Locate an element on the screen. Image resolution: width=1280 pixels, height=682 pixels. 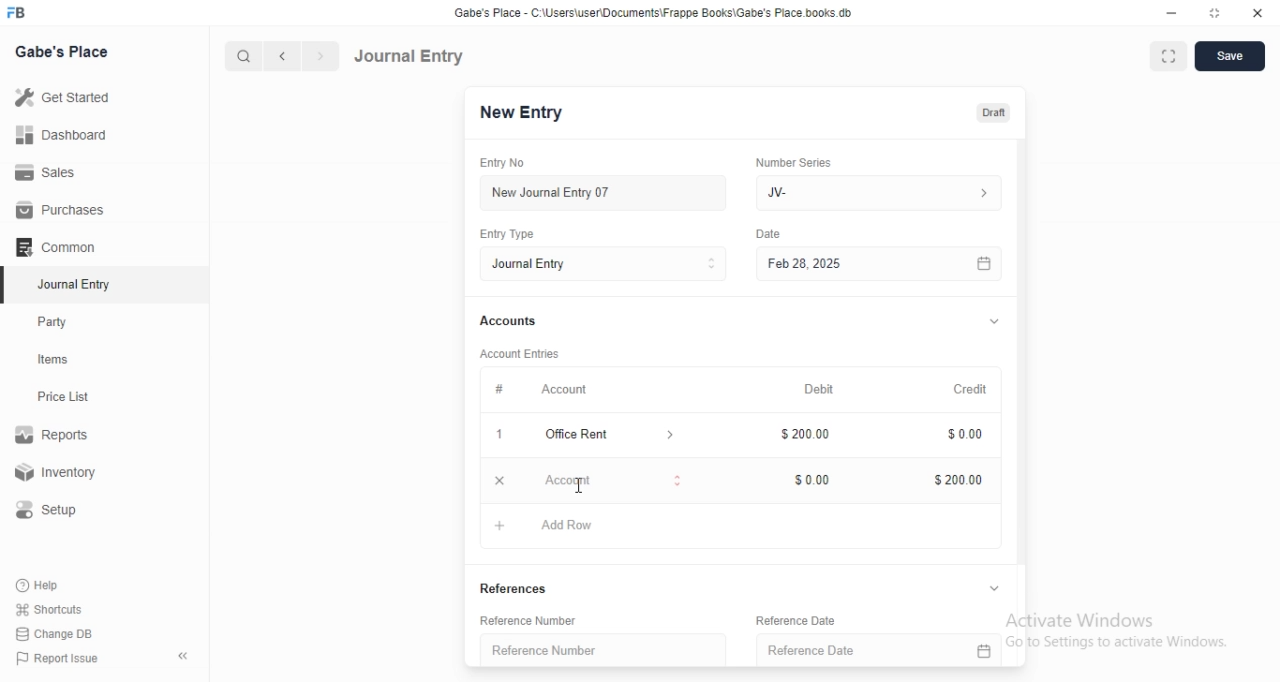
‘Account Entries is located at coordinates (521, 353).